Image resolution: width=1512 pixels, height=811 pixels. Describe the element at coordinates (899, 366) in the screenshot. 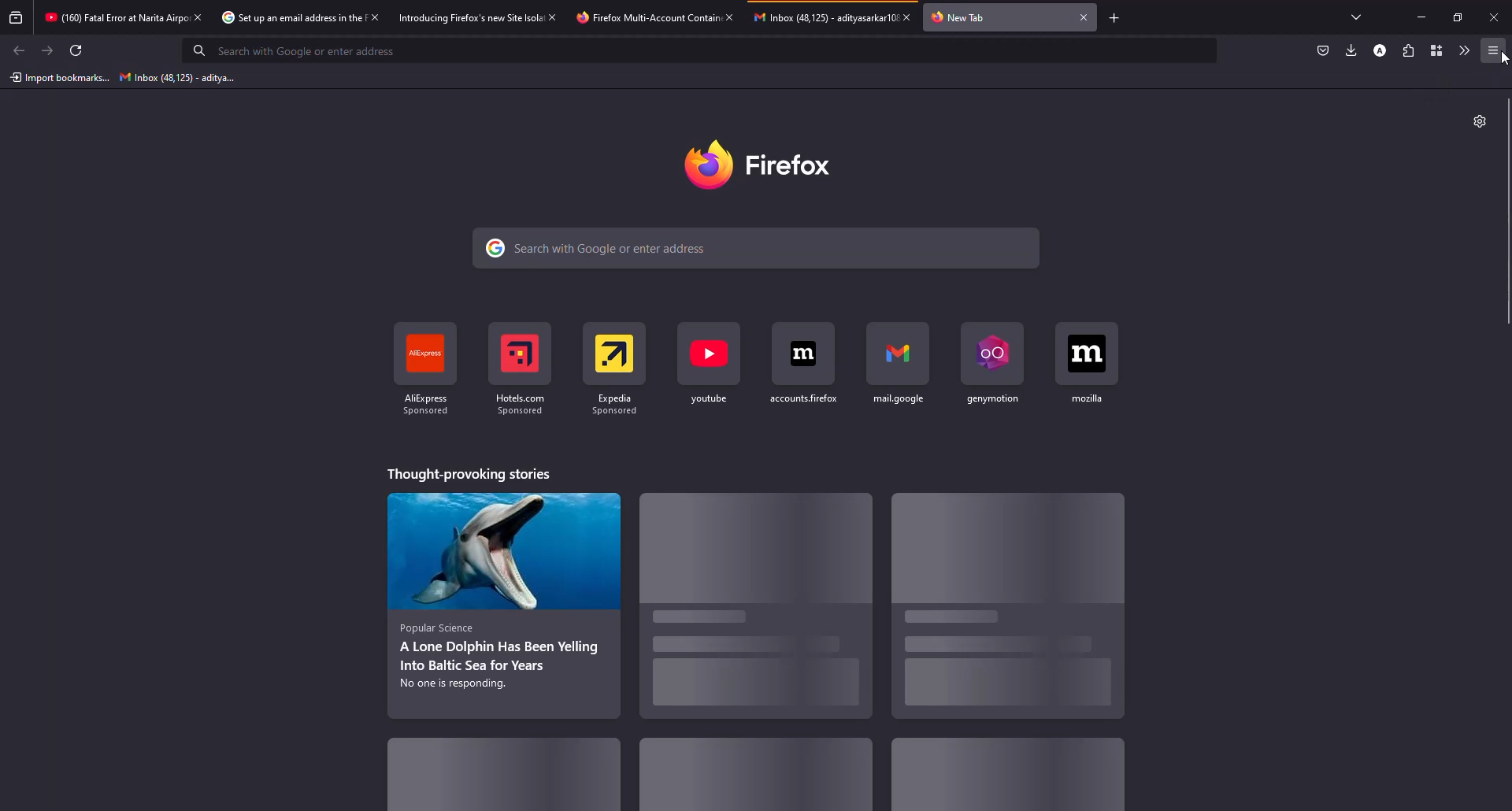

I see `shortcut` at that location.